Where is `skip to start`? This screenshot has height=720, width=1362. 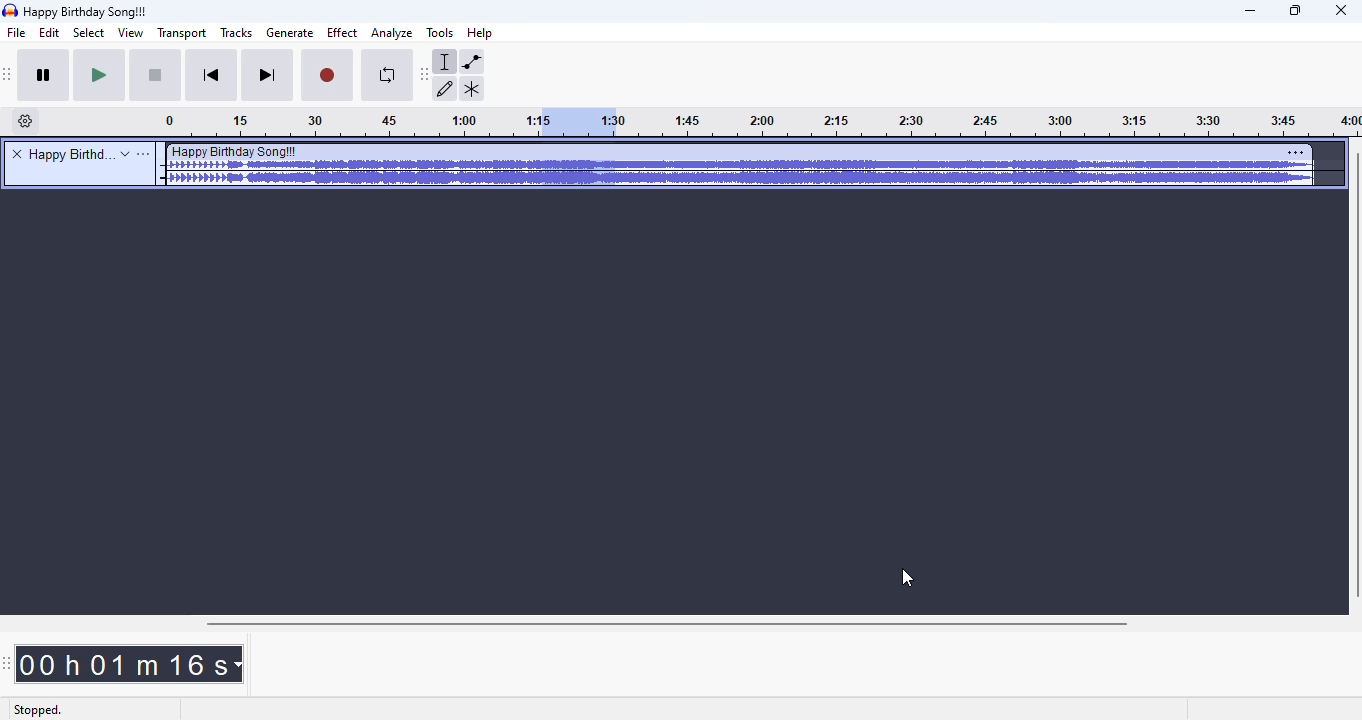
skip to start is located at coordinates (214, 76).